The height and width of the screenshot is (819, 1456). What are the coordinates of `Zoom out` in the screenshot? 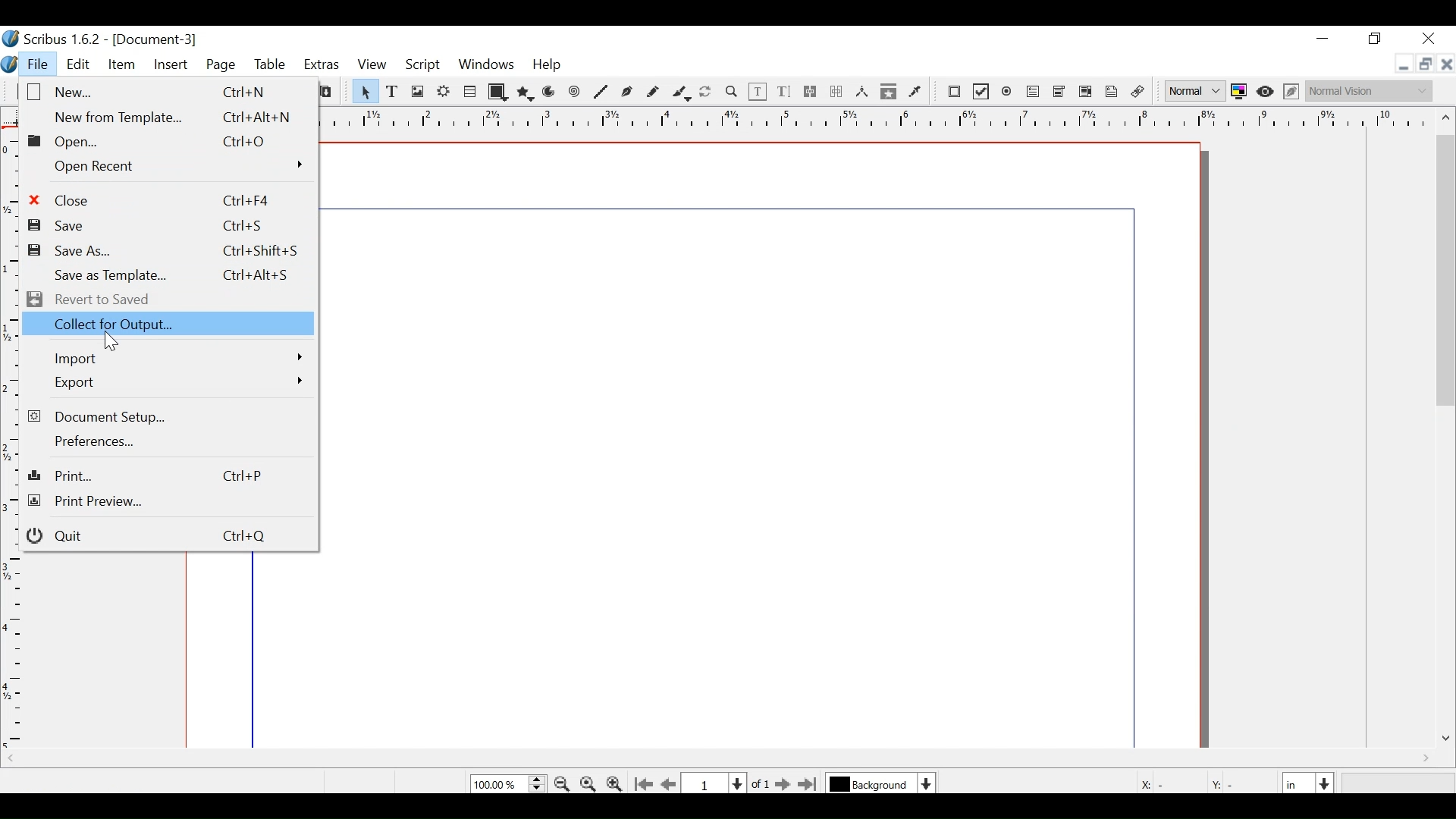 It's located at (563, 783).